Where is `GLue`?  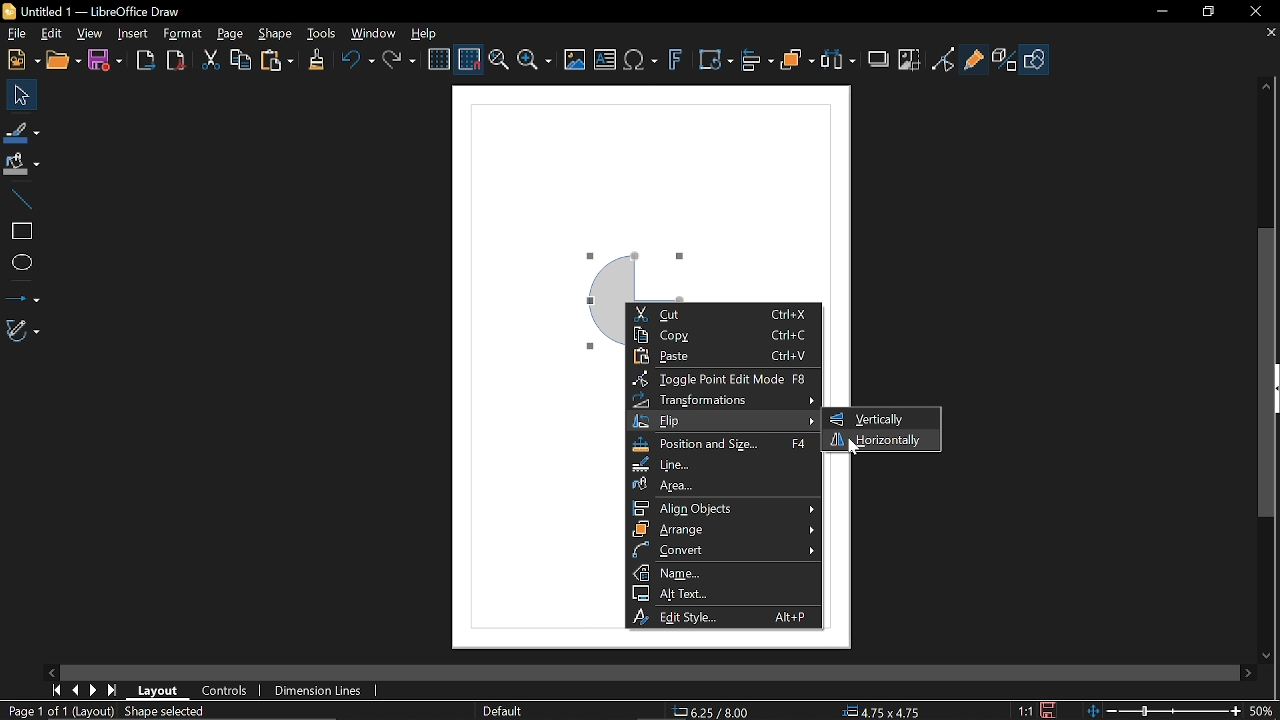 GLue is located at coordinates (974, 61).